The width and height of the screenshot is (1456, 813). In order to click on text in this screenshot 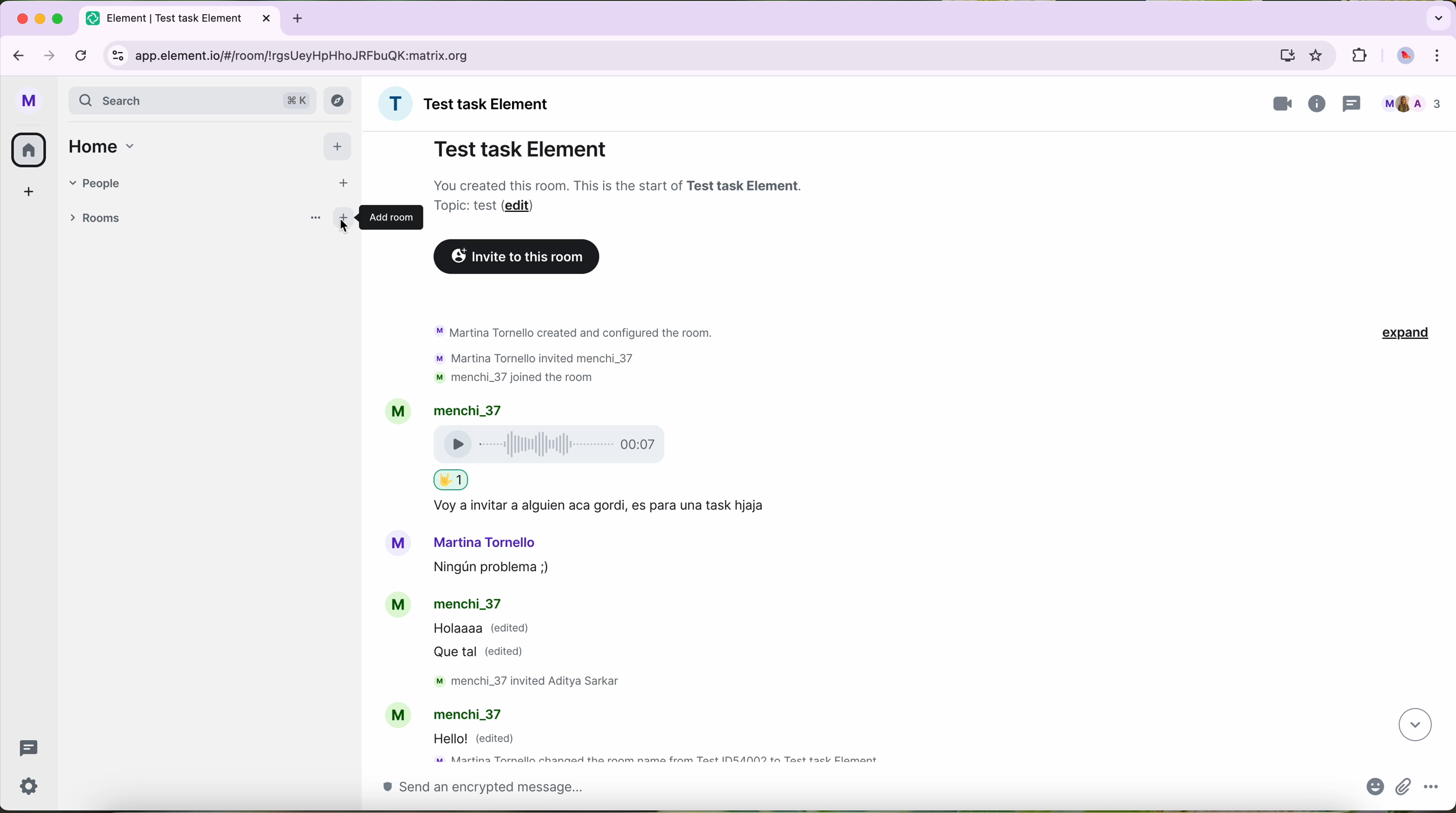, I will do `click(612, 507)`.